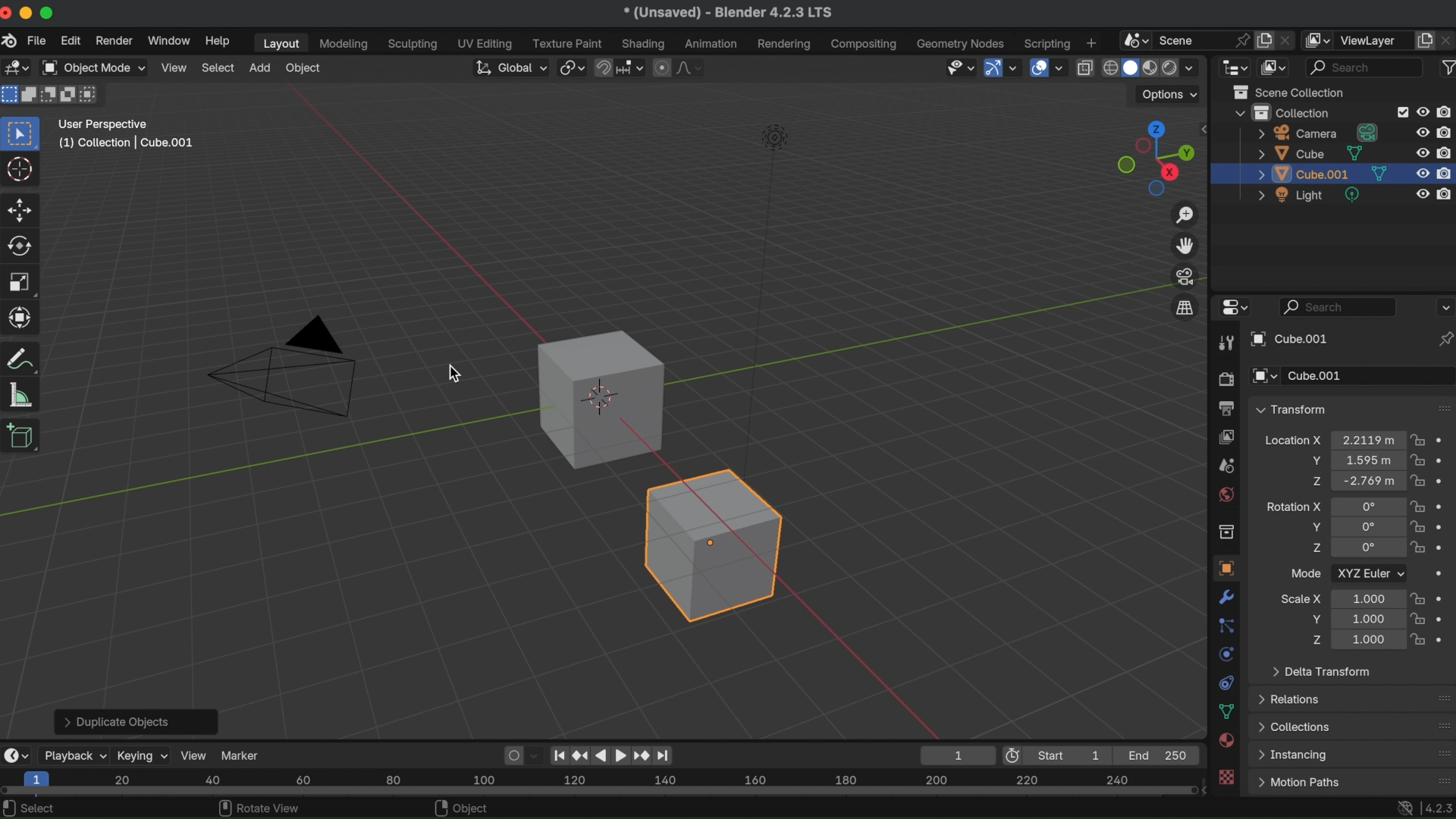 The width and height of the screenshot is (1456, 819). What do you see at coordinates (1306, 573) in the screenshot?
I see `Mode` at bounding box center [1306, 573].